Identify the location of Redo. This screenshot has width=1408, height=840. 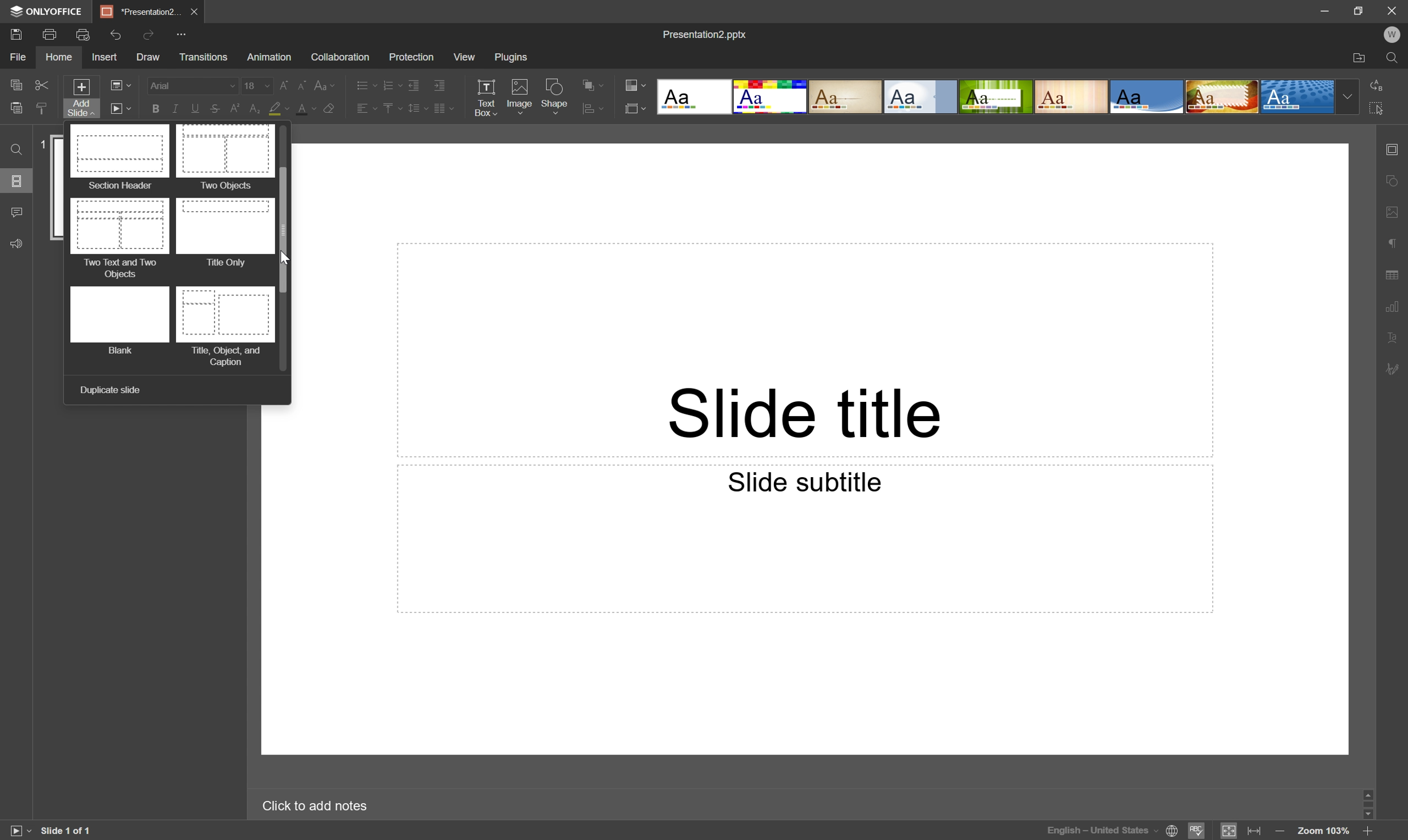
(120, 36).